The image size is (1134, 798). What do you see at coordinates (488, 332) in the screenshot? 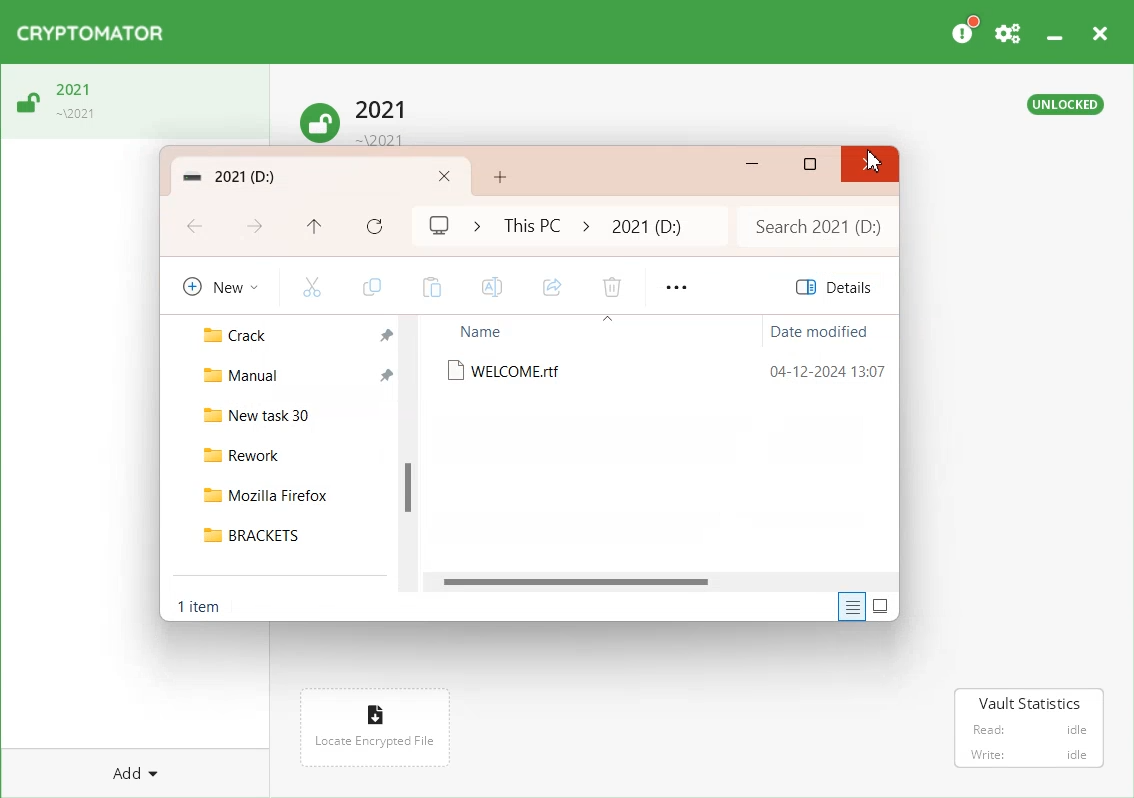
I see `Name` at bounding box center [488, 332].